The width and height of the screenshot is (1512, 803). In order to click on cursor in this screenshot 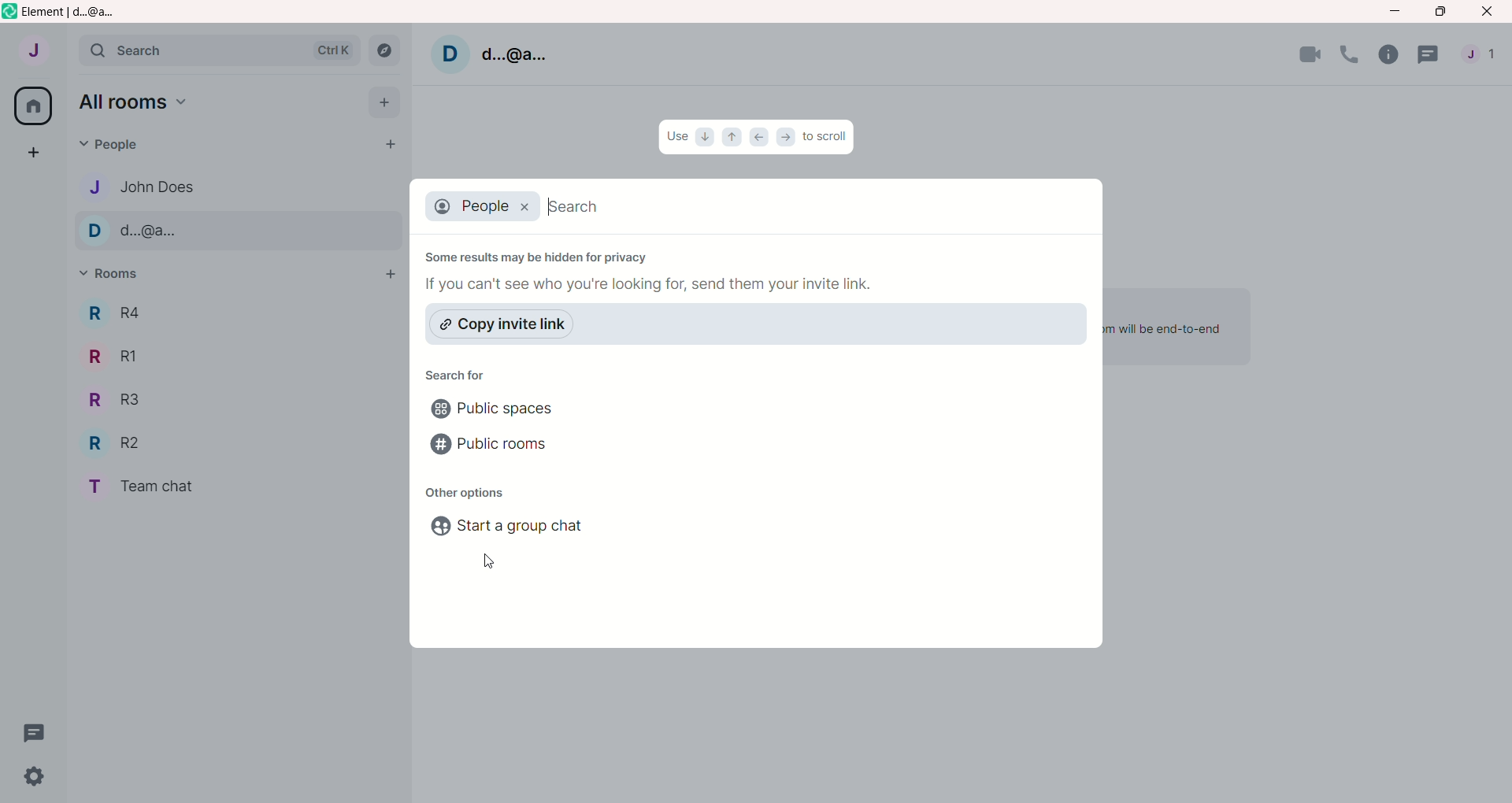, I will do `click(494, 561)`.